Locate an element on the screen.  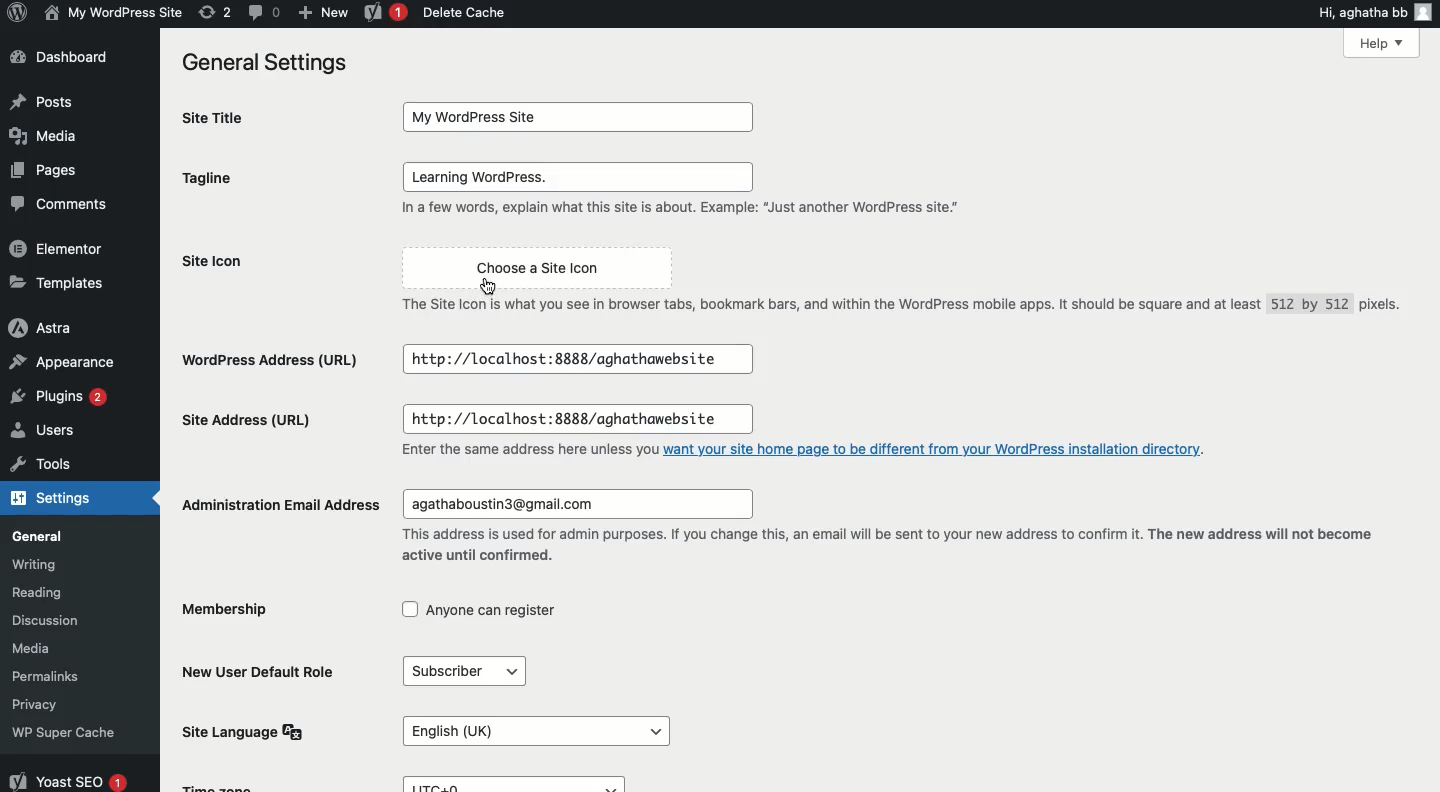
Hi, agatha bb is located at coordinates (1360, 15).